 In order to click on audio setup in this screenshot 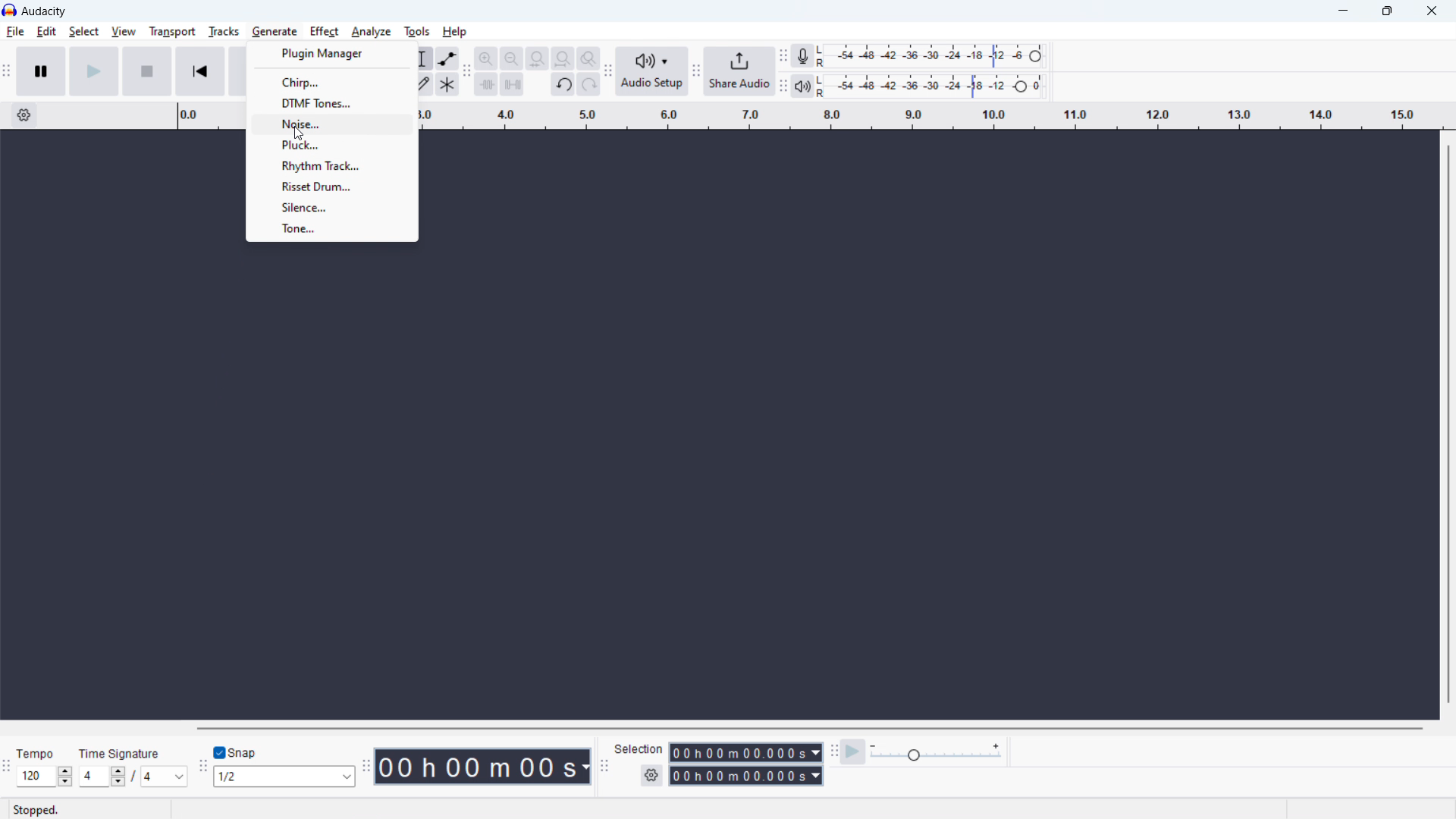, I will do `click(652, 72)`.